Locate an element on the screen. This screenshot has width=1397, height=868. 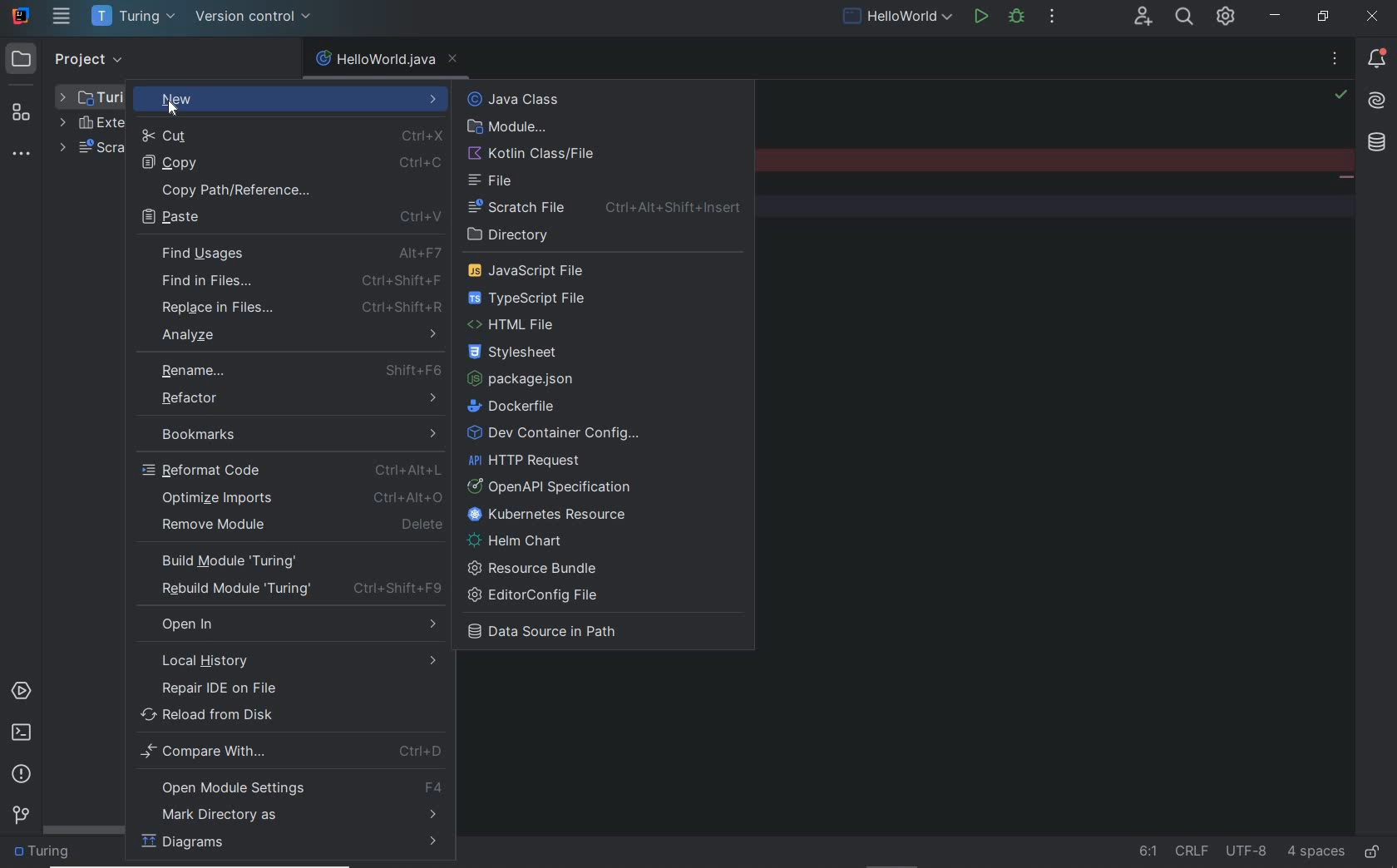
package.json is located at coordinates (528, 379).